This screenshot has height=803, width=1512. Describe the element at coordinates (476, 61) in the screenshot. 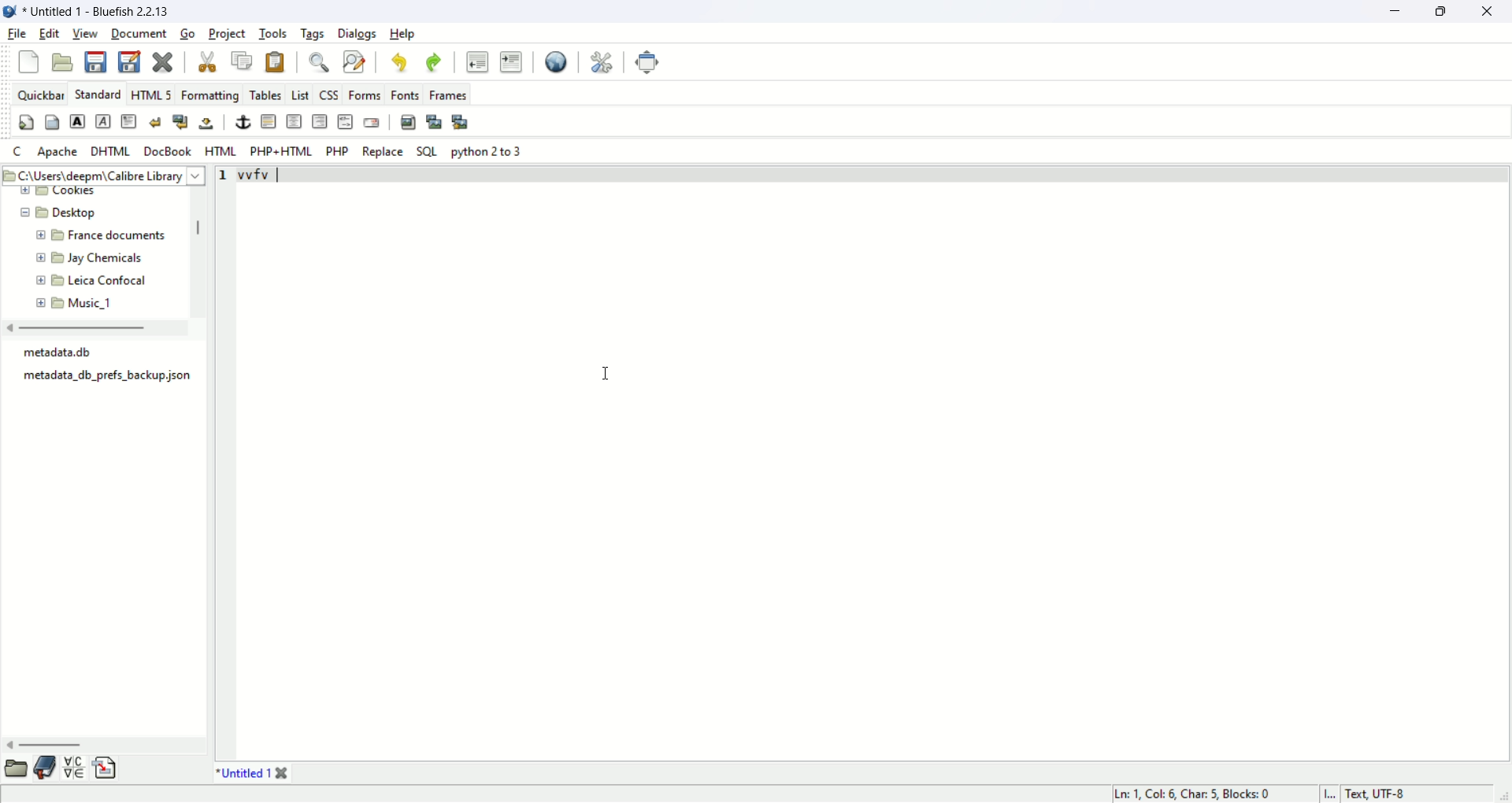

I see `unindent` at that location.